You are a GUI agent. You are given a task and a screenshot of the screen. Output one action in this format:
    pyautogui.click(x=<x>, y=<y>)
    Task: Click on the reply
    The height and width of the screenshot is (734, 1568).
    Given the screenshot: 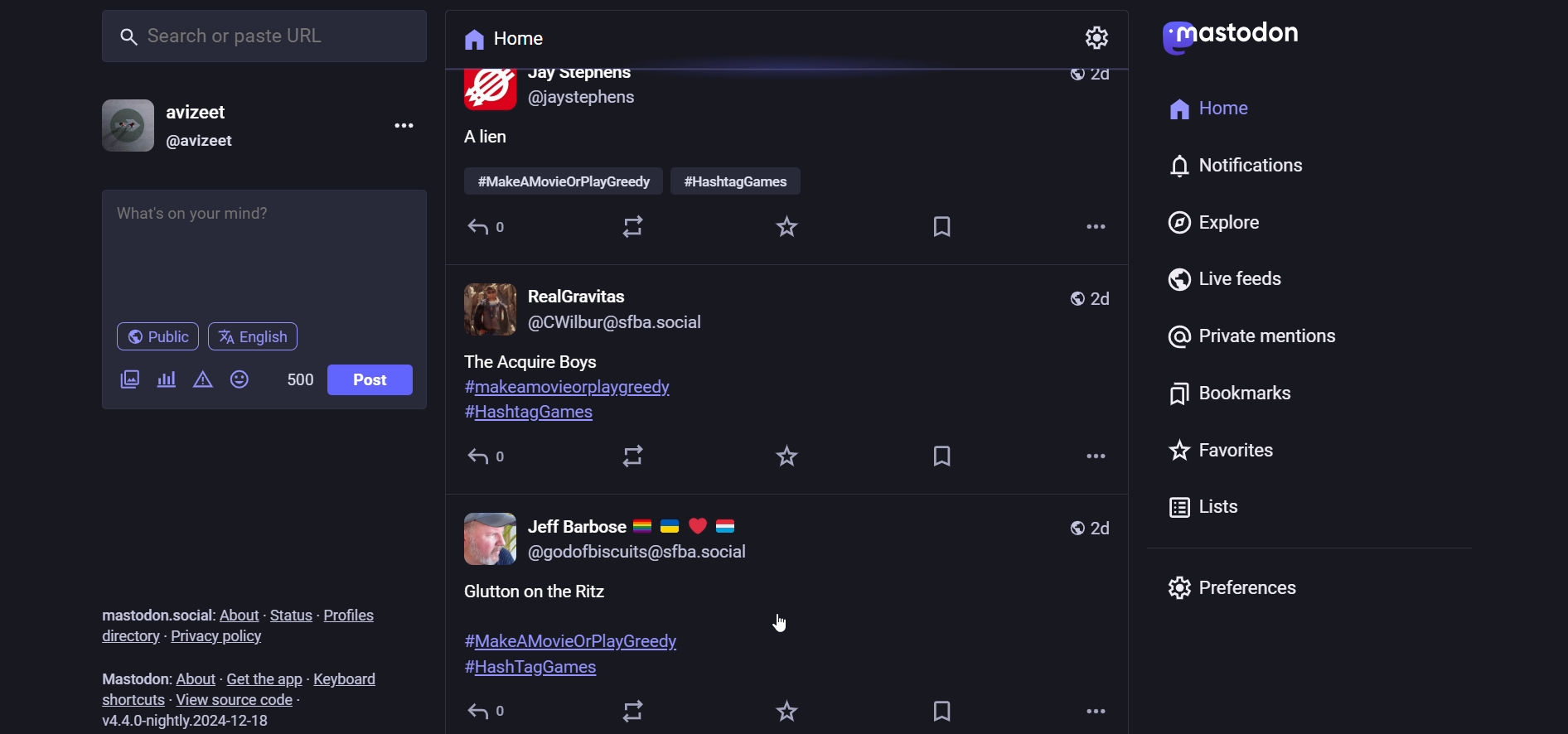 What is the action you would take?
    pyautogui.click(x=486, y=461)
    